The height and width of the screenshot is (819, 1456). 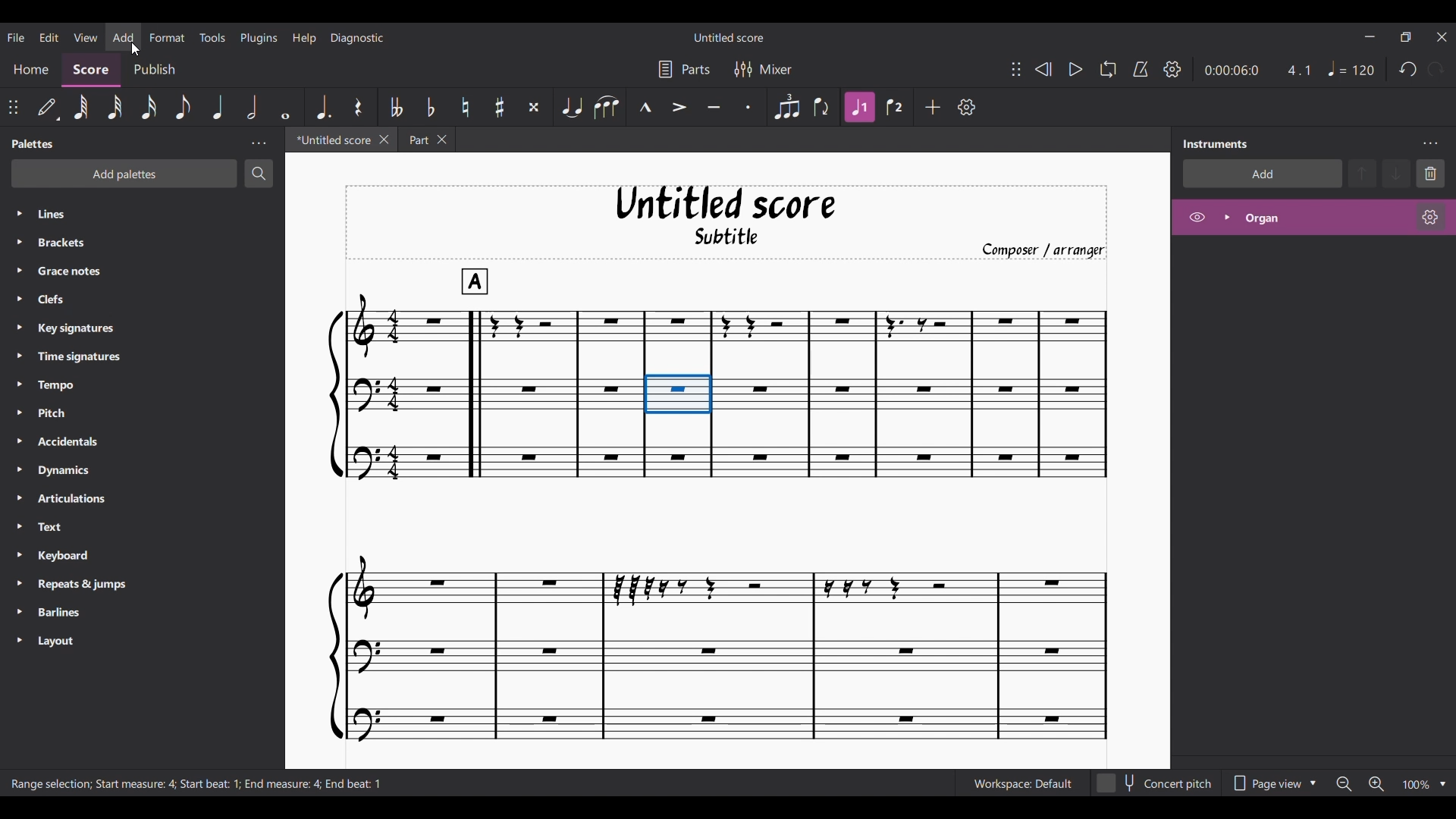 I want to click on Rest, so click(x=359, y=107).